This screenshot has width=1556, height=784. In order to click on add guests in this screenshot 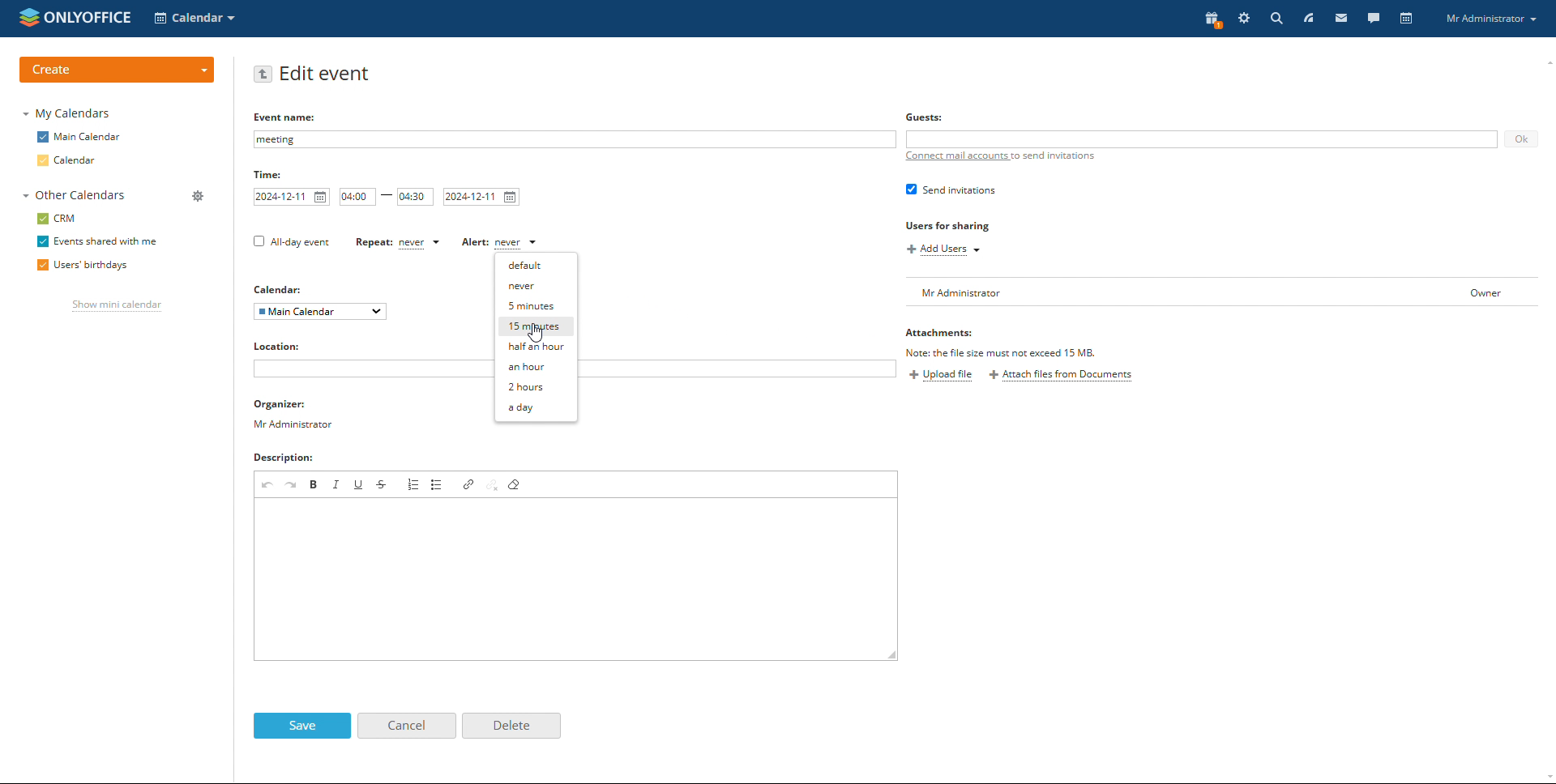, I will do `click(1202, 139)`.